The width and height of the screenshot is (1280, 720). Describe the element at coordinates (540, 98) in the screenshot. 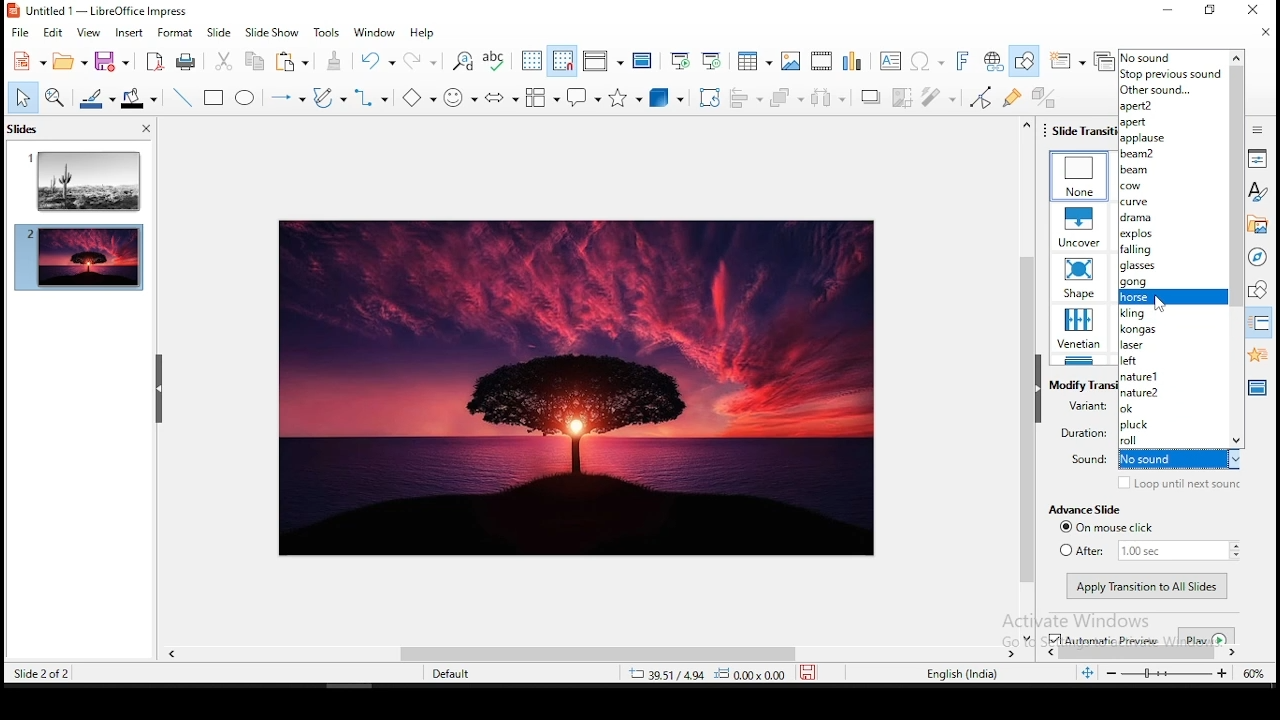

I see `flowchart` at that location.